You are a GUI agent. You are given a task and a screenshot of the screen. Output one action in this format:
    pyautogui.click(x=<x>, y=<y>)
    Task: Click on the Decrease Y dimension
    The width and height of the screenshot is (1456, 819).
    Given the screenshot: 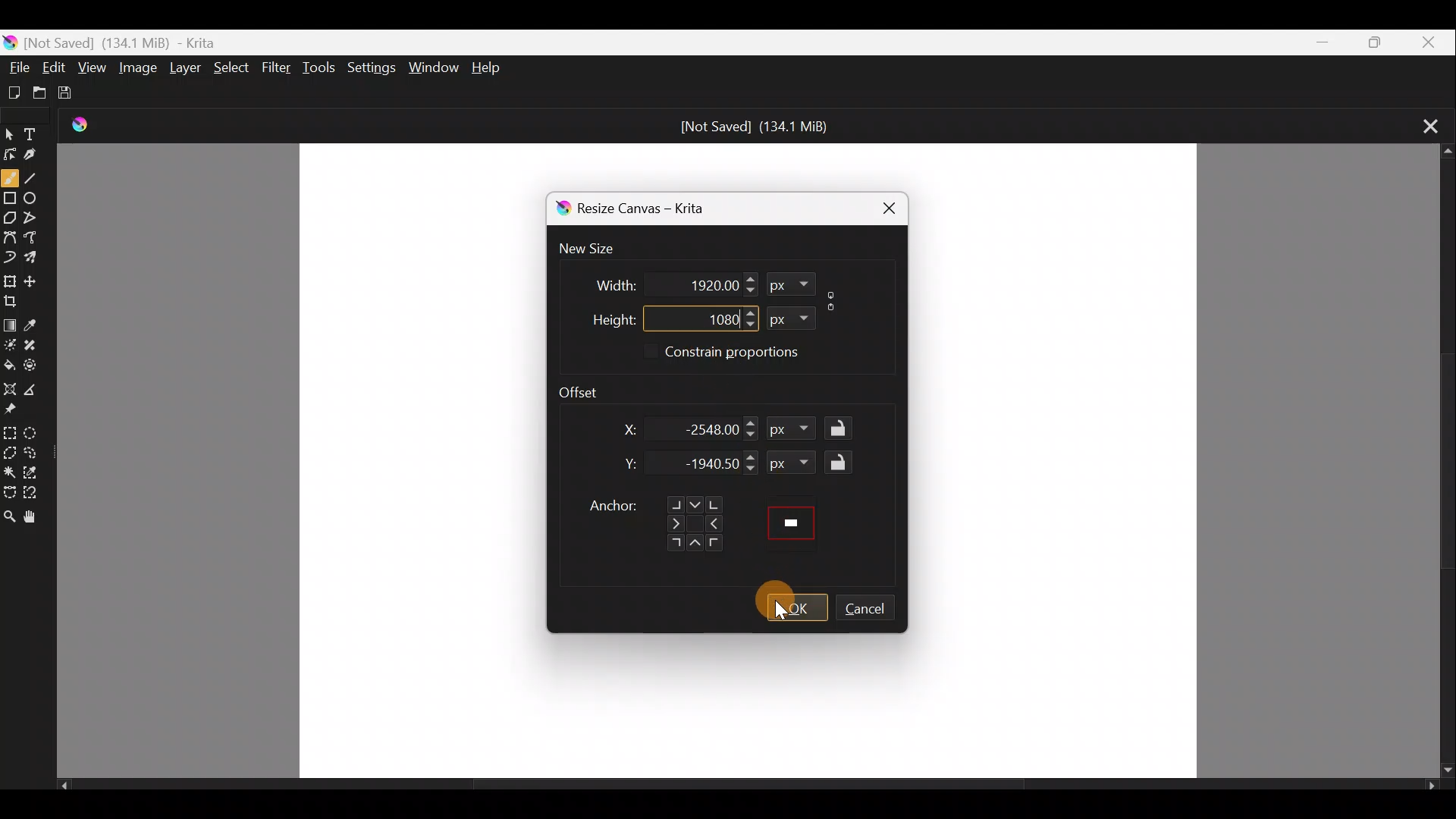 What is the action you would take?
    pyautogui.click(x=752, y=469)
    